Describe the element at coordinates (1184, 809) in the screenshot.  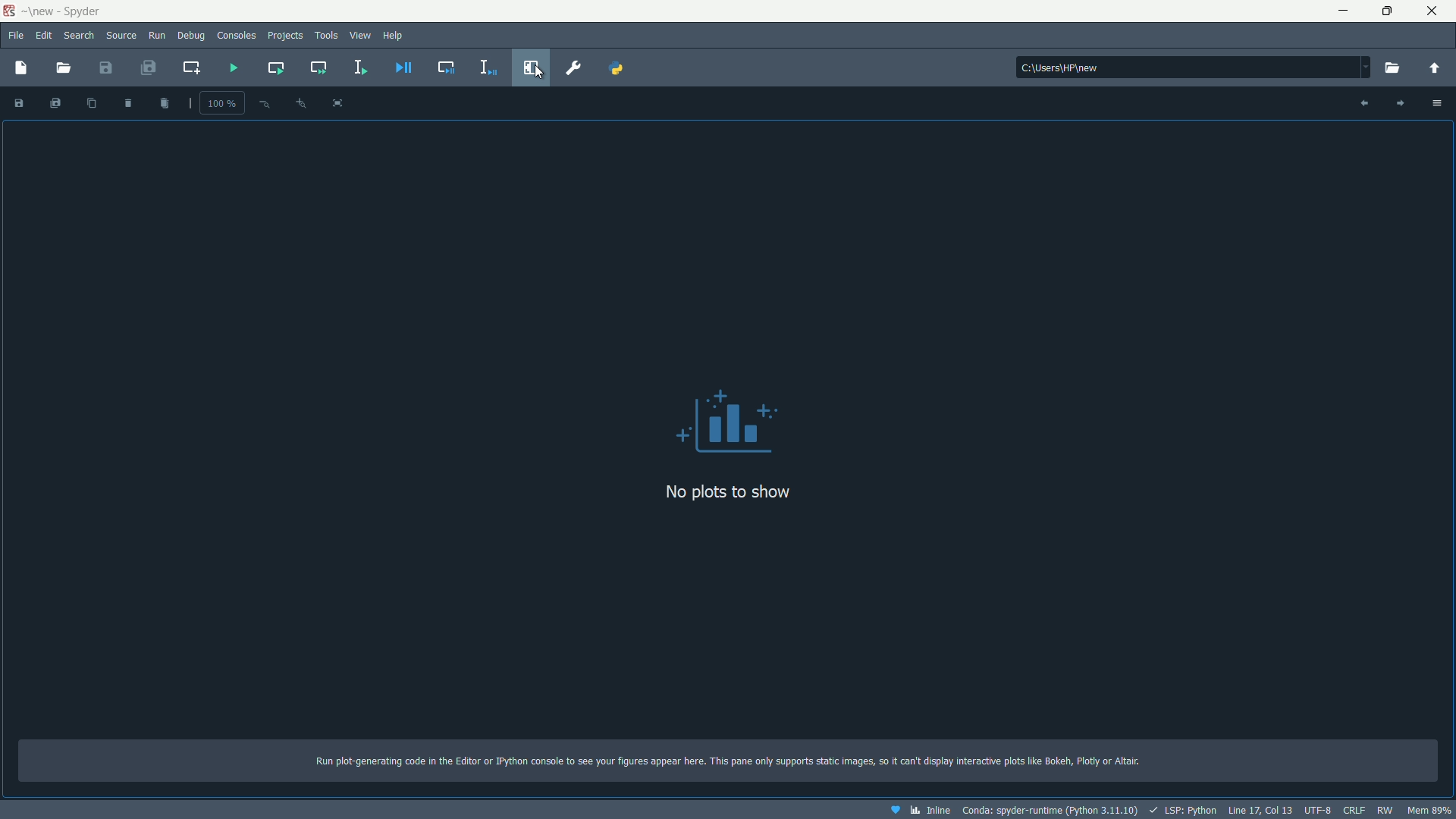
I see `LSP:Python` at that location.